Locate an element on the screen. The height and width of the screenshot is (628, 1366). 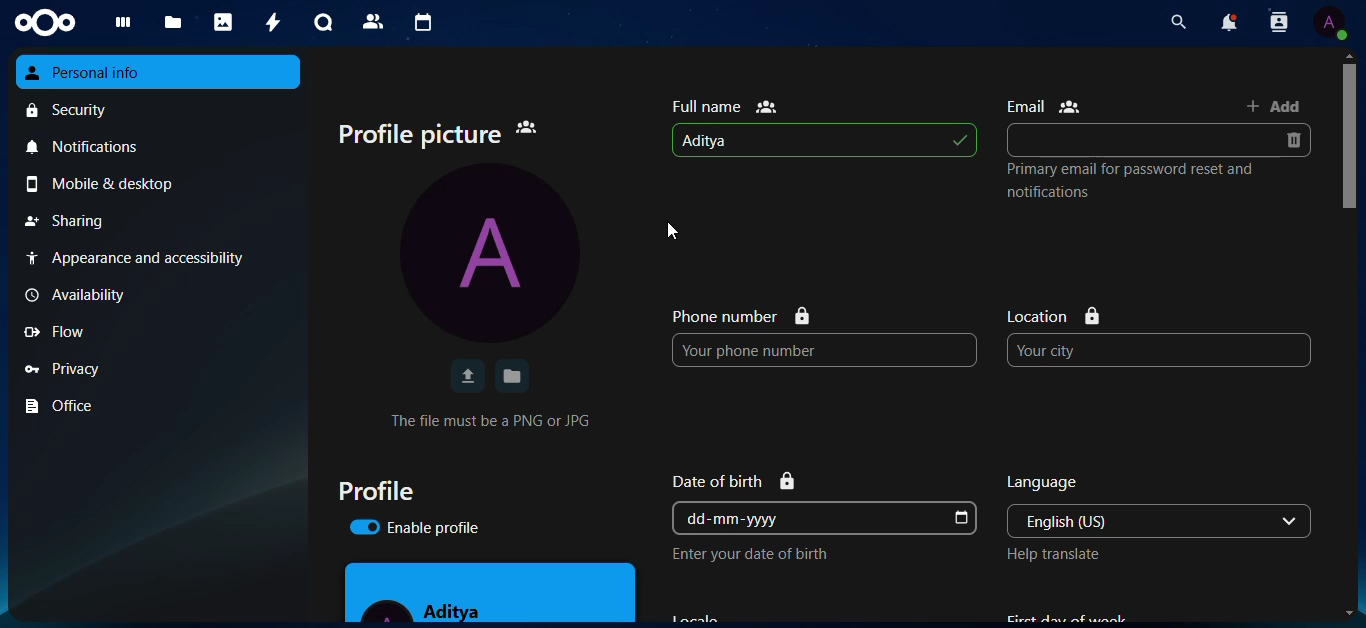
enable profile is located at coordinates (414, 527).